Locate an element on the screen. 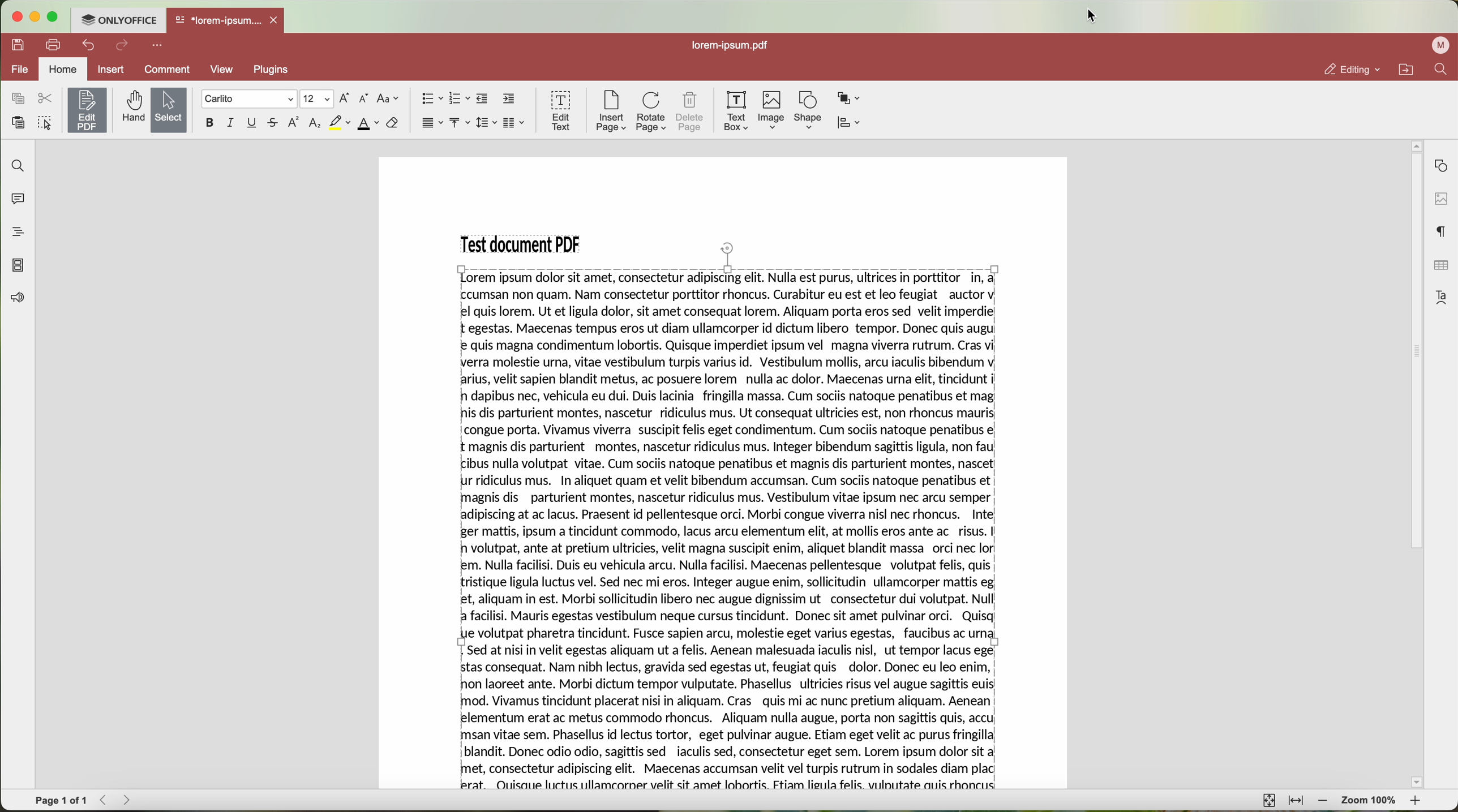 This screenshot has height=812, width=1458. editing is located at coordinates (1348, 67).